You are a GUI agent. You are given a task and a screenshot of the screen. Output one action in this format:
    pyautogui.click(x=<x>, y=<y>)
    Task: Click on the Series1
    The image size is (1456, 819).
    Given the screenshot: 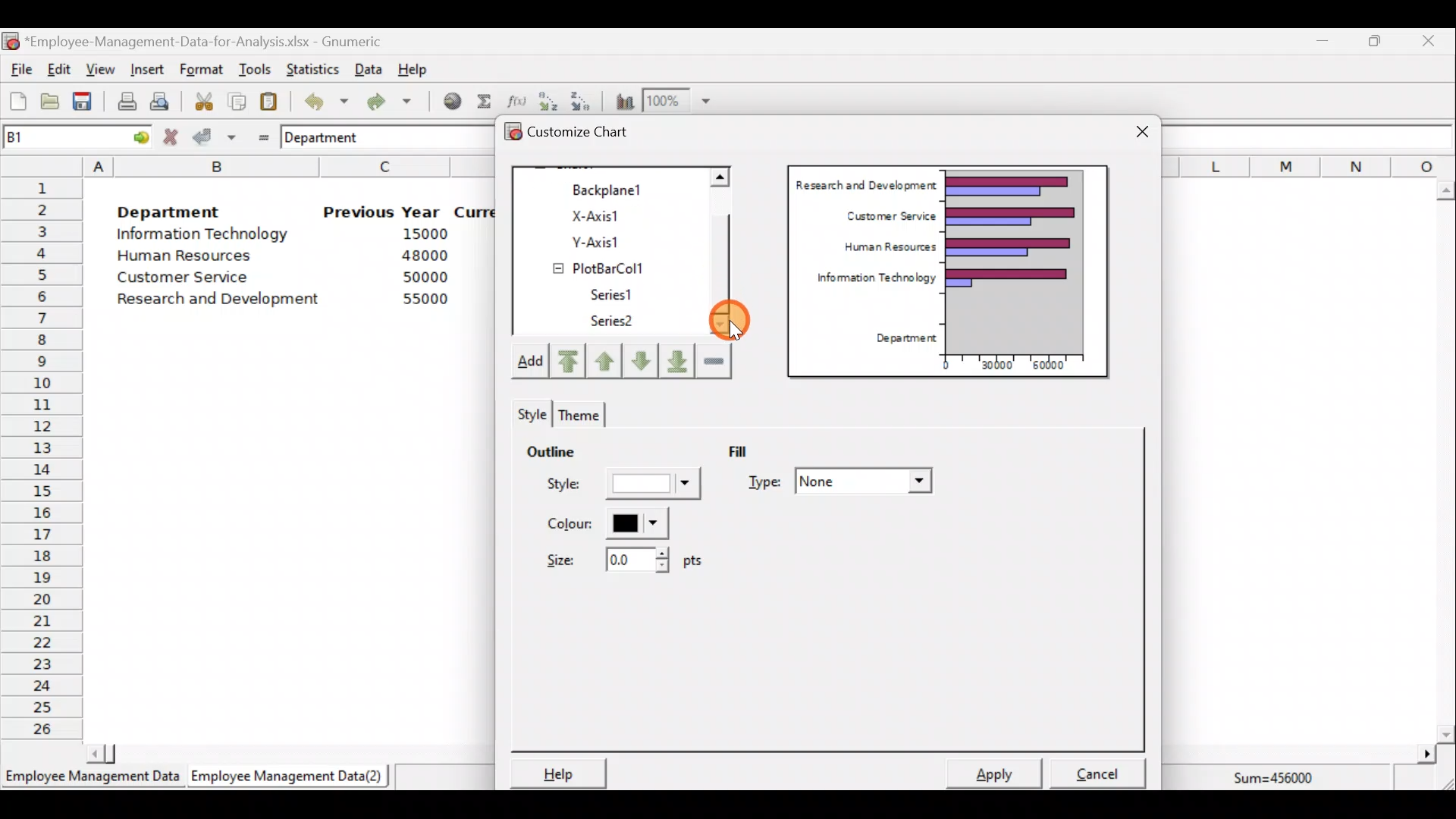 What is the action you would take?
    pyautogui.click(x=619, y=292)
    